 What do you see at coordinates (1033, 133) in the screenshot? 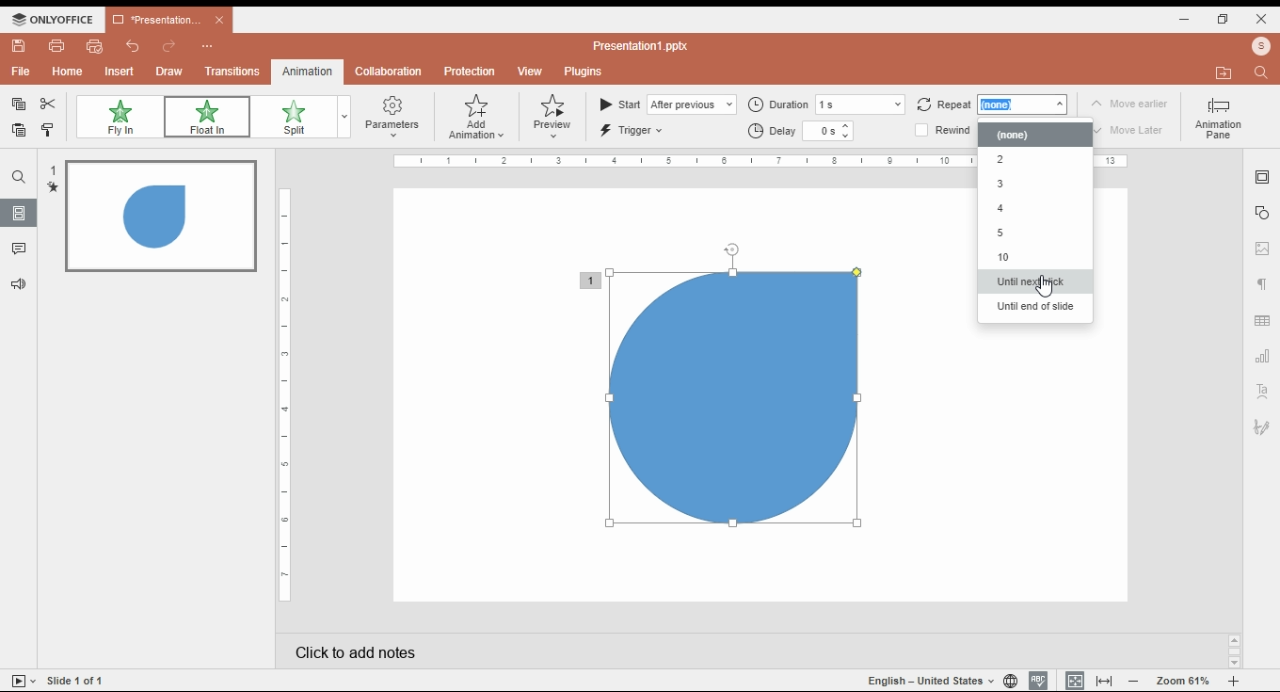
I see `none` at bounding box center [1033, 133].